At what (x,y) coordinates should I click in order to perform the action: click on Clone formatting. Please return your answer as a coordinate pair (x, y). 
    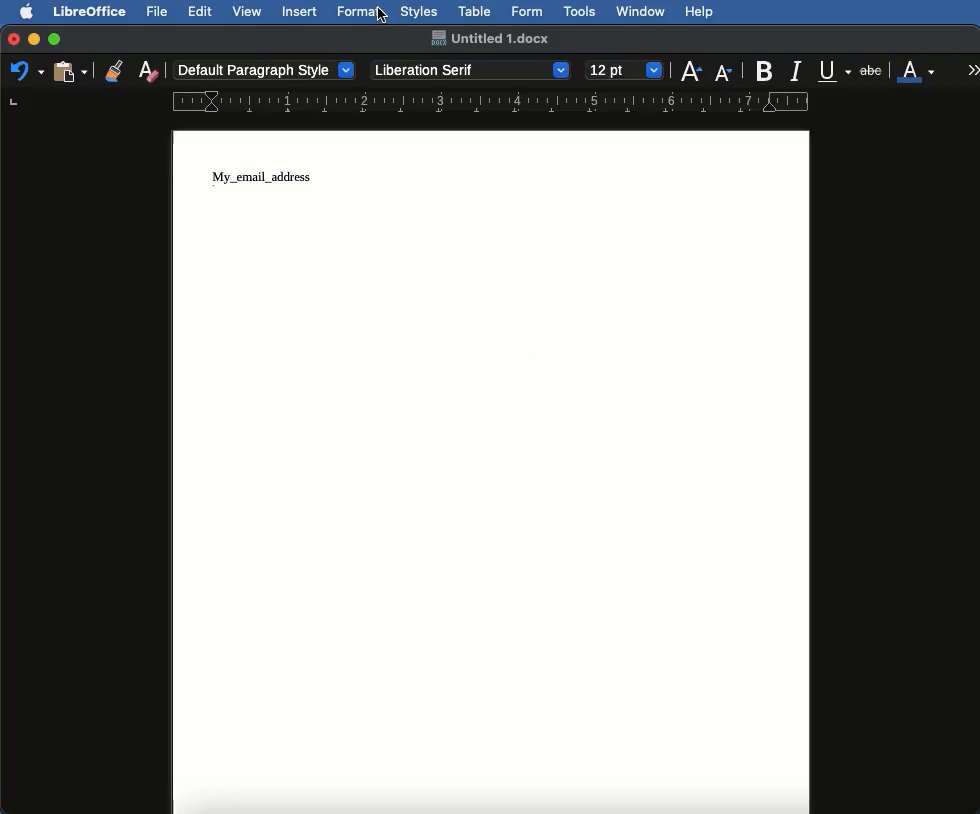
    Looking at the image, I should click on (114, 70).